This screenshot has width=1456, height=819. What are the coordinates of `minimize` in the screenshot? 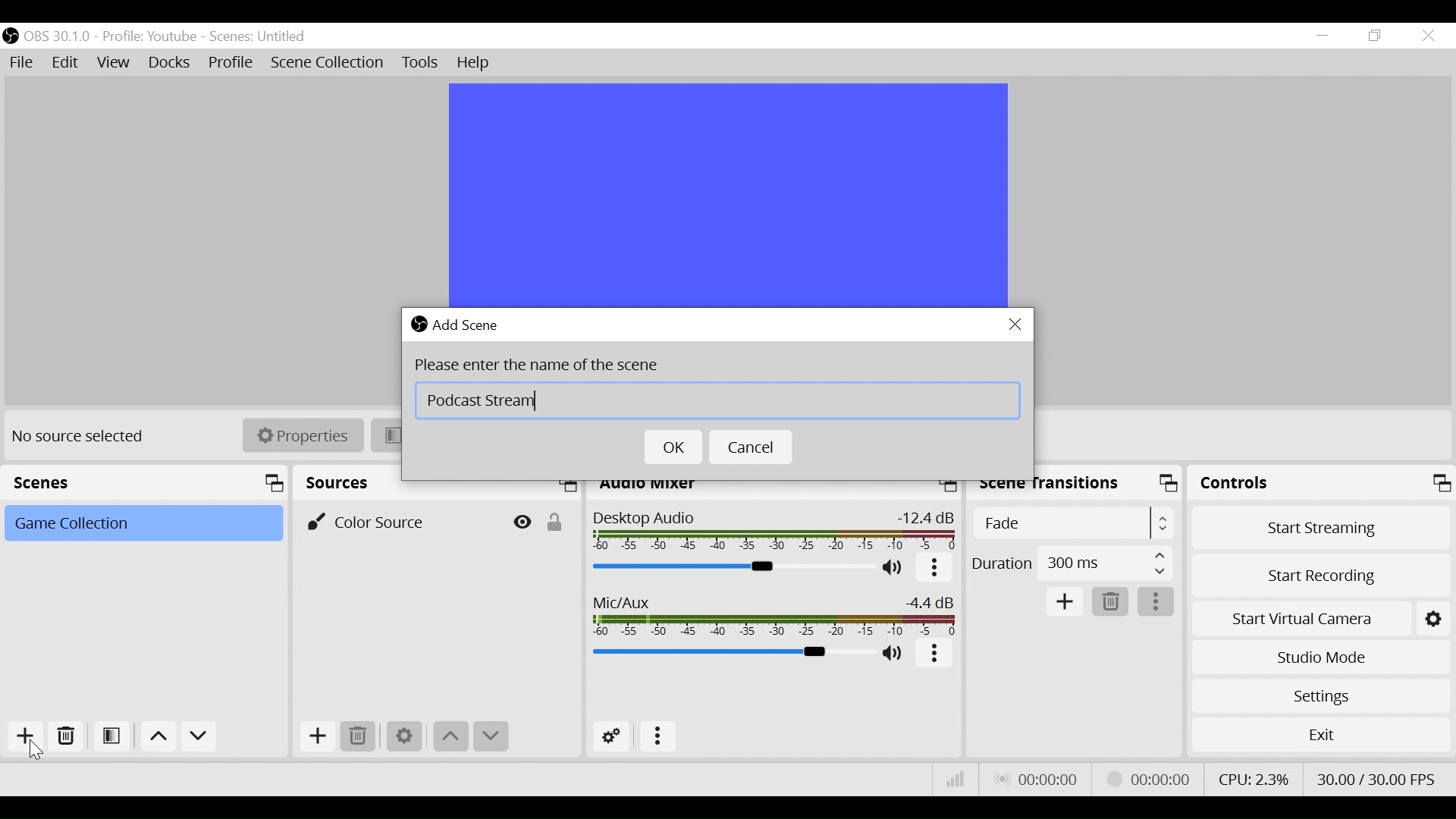 It's located at (1322, 36).